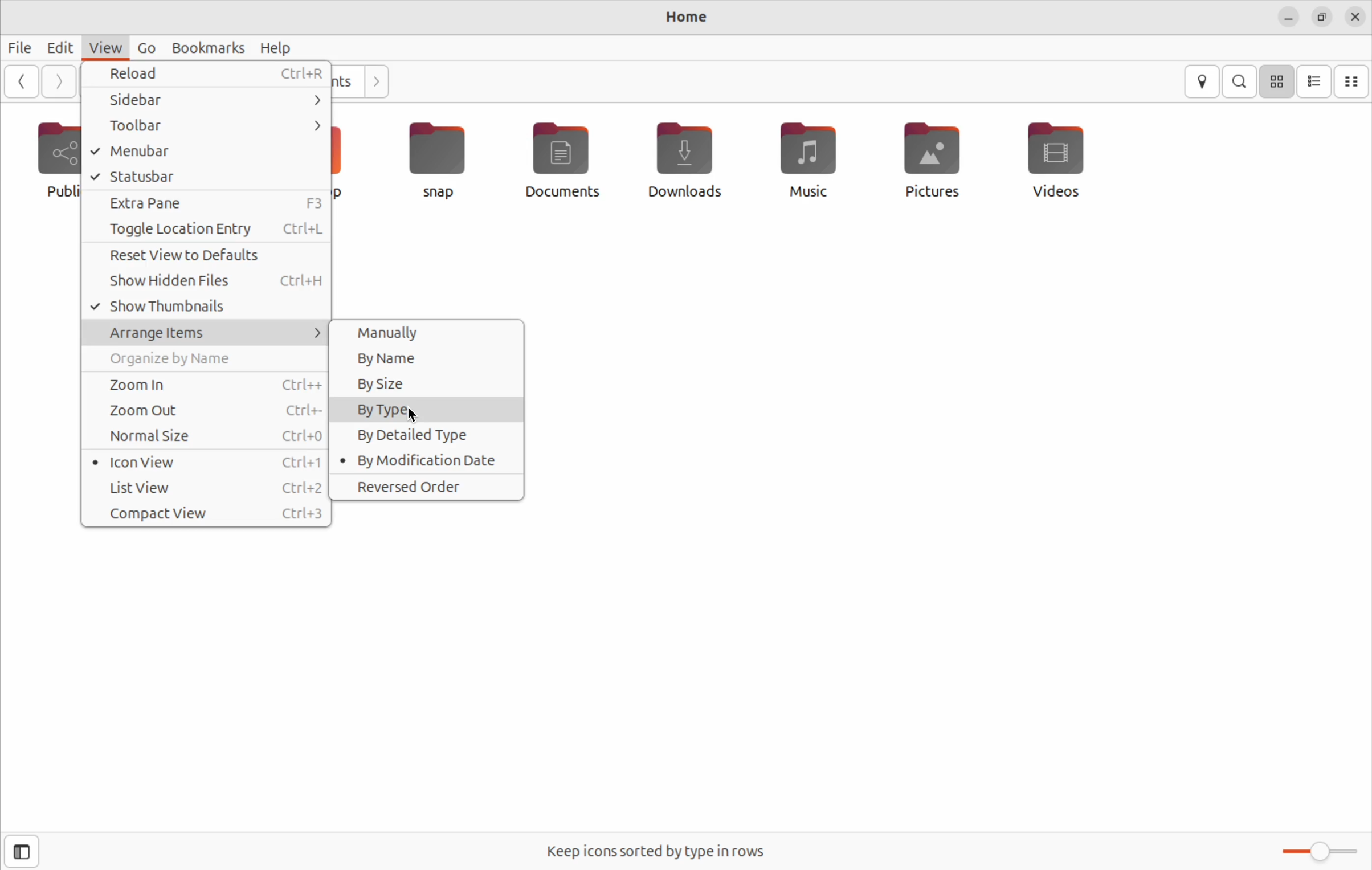 The width and height of the screenshot is (1372, 870). I want to click on reset view to defaults, so click(203, 256).